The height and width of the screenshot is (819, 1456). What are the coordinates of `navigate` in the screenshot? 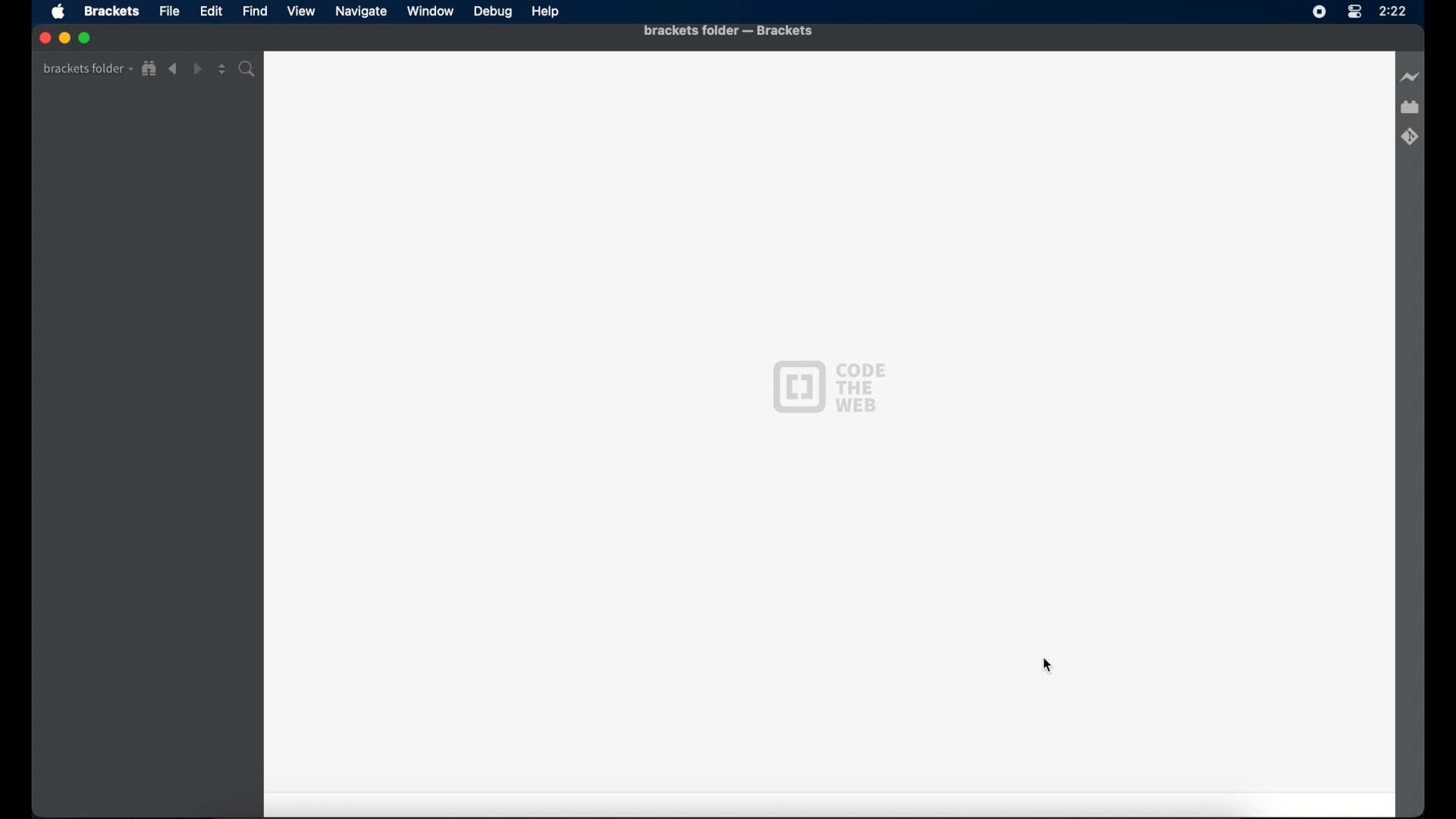 It's located at (360, 11).